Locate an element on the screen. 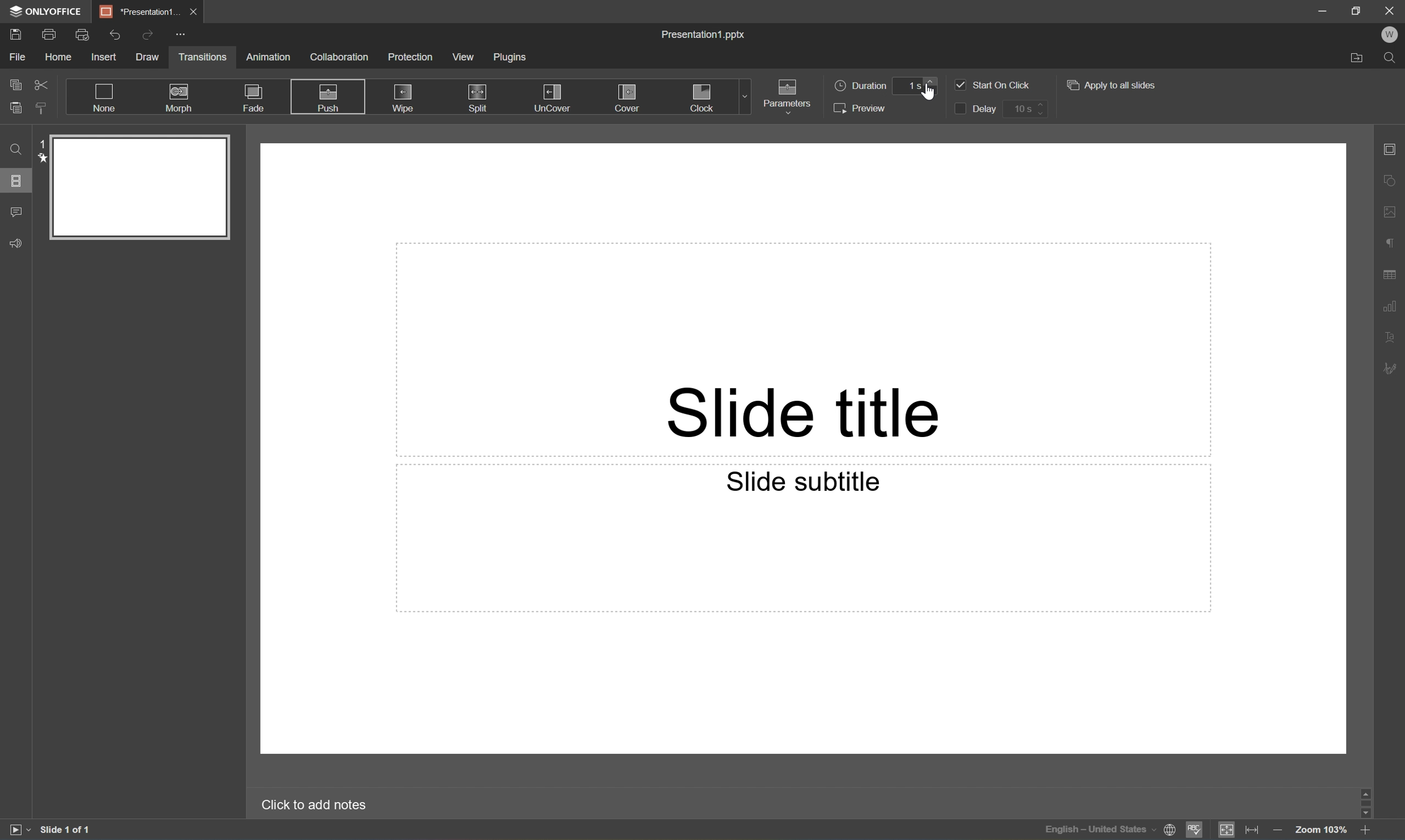 Image resolution: width=1405 pixels, height=840 pixels. Split is located at coordinates (479, 94).